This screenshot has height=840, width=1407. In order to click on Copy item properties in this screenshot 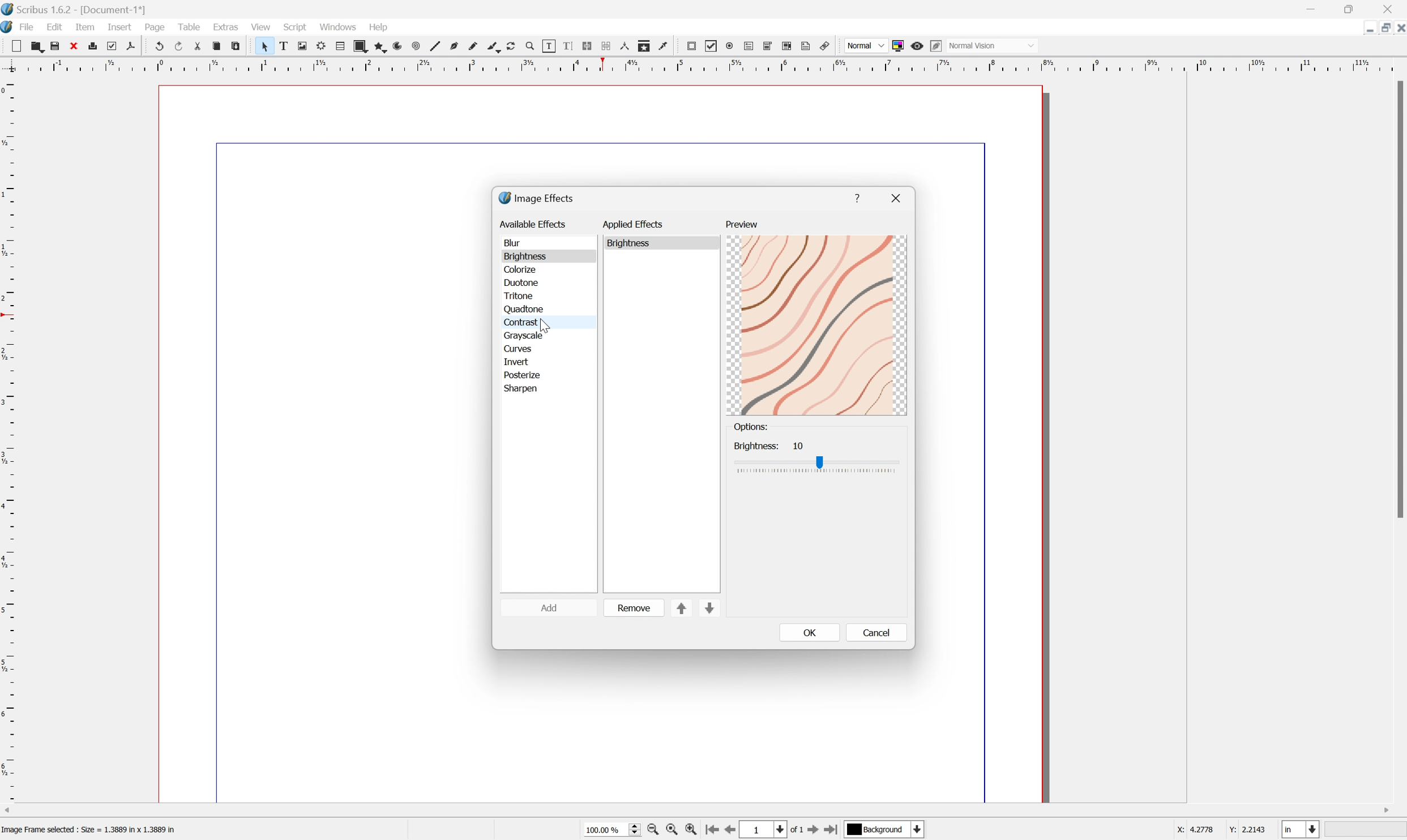, I will do `click(647, 46)`.